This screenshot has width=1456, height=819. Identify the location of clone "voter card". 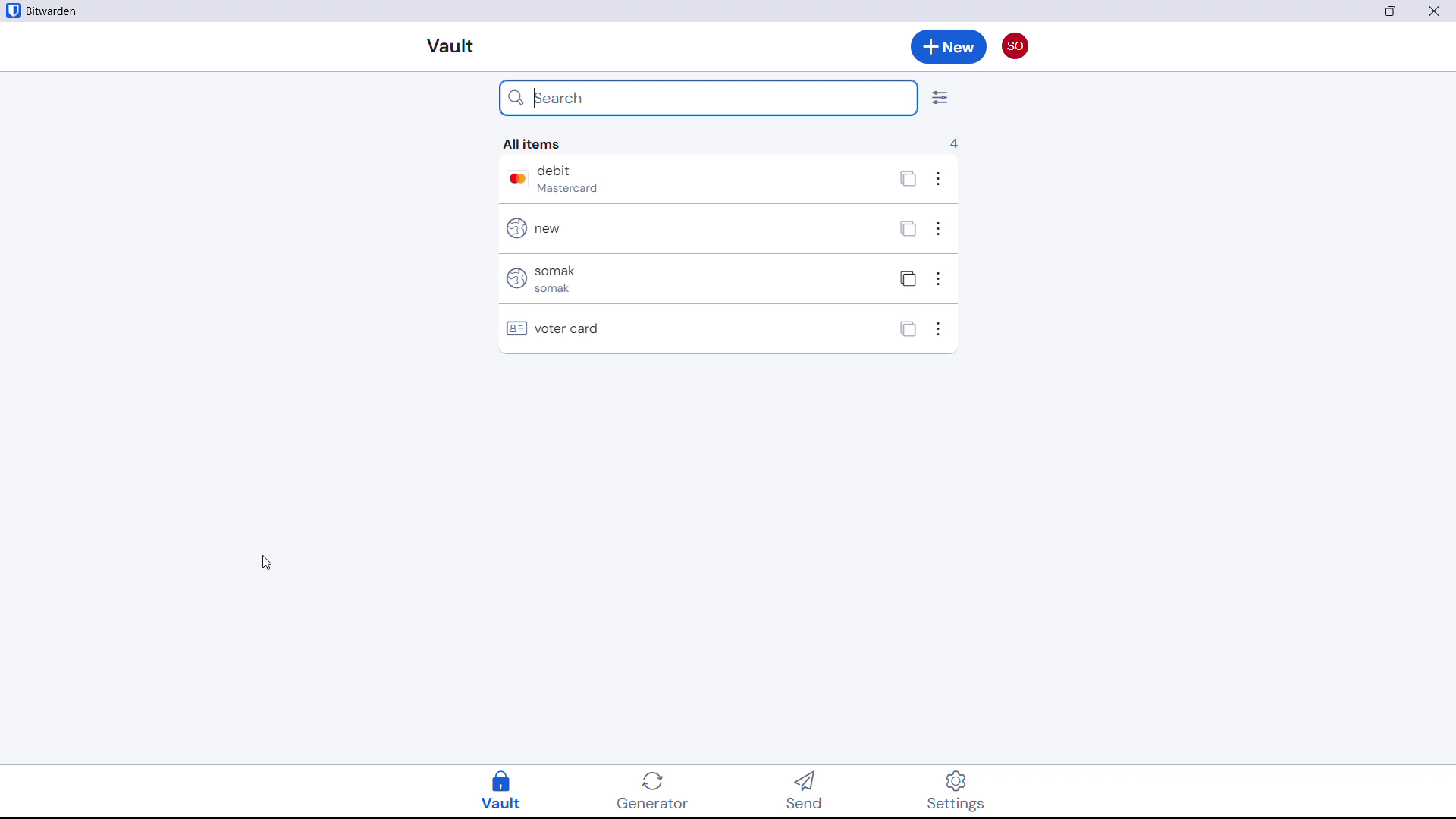
(908, 329).